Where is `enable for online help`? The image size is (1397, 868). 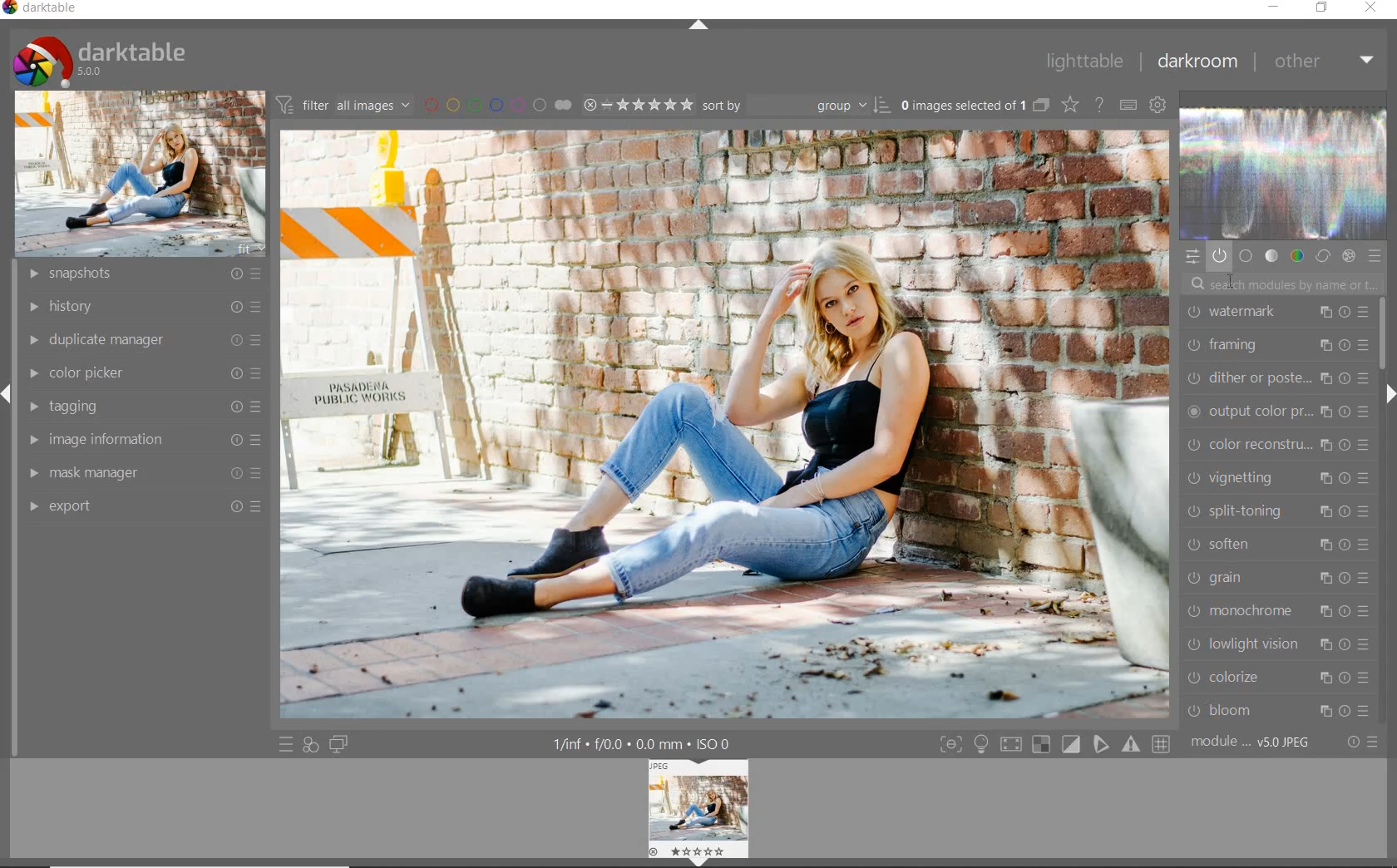 enable for online help is located at coordinates (1100, 106).